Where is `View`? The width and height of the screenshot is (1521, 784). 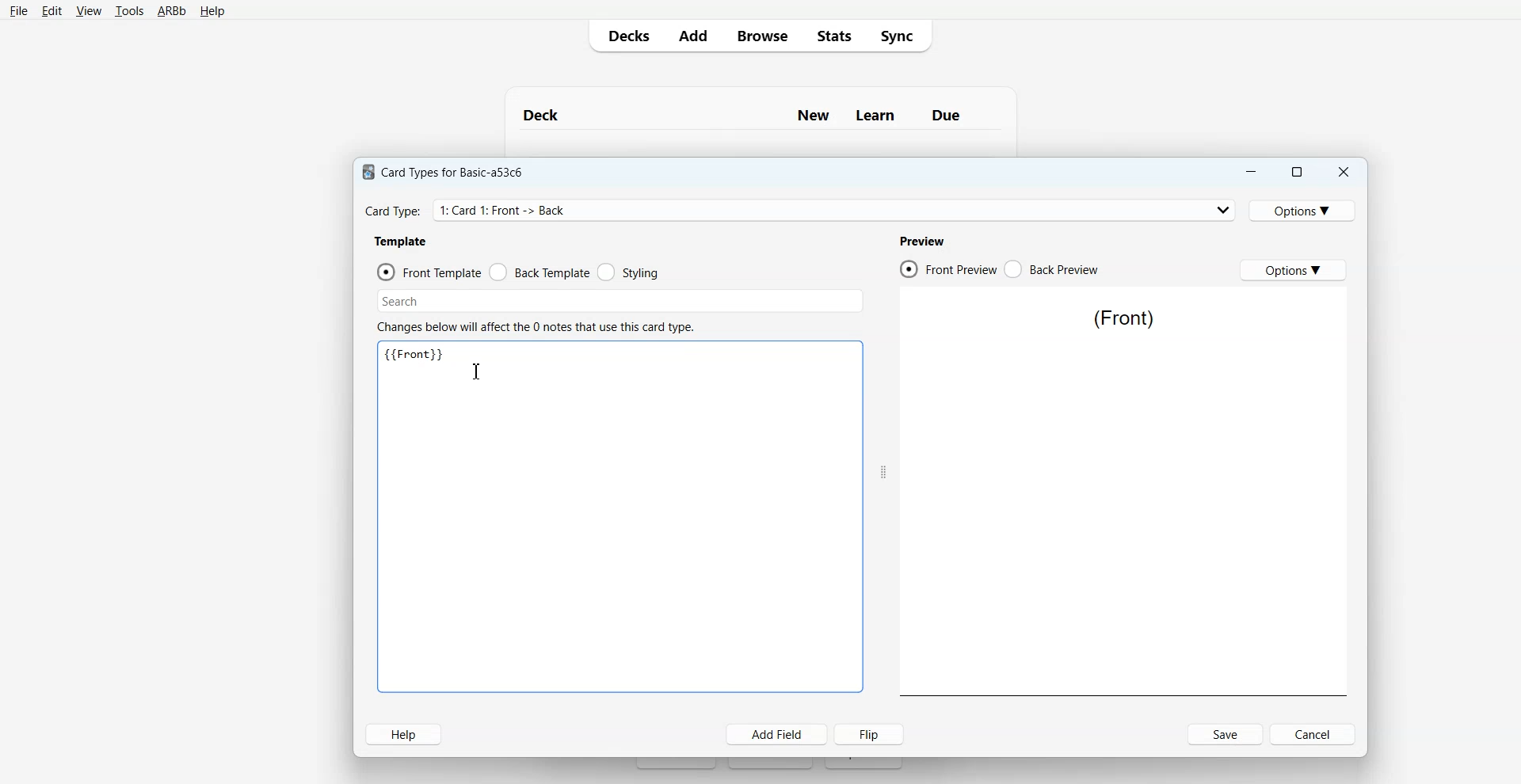
View is located at coordinates (89, 11).